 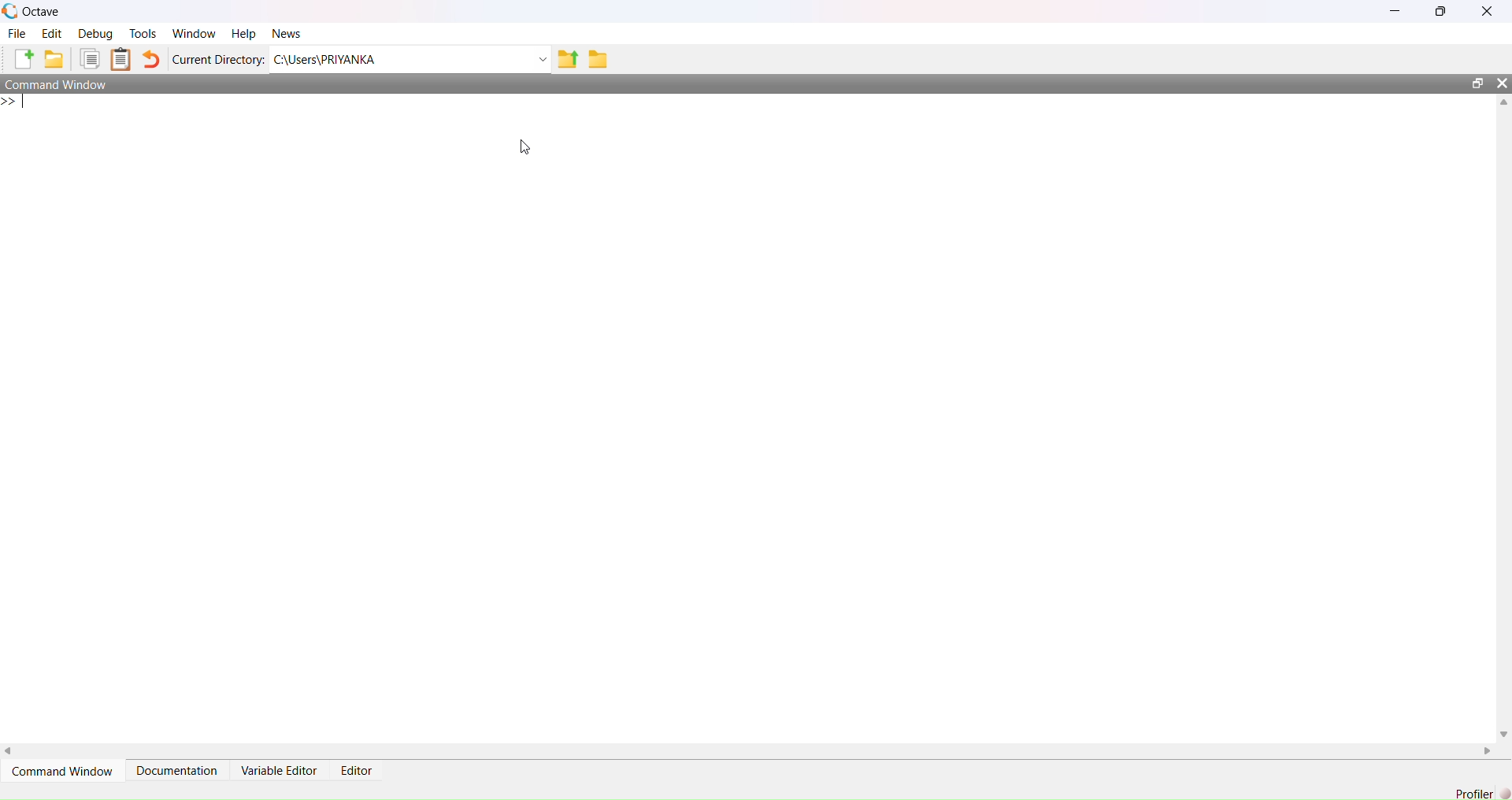 I want to click on Octave, so click(x=41, y=10).